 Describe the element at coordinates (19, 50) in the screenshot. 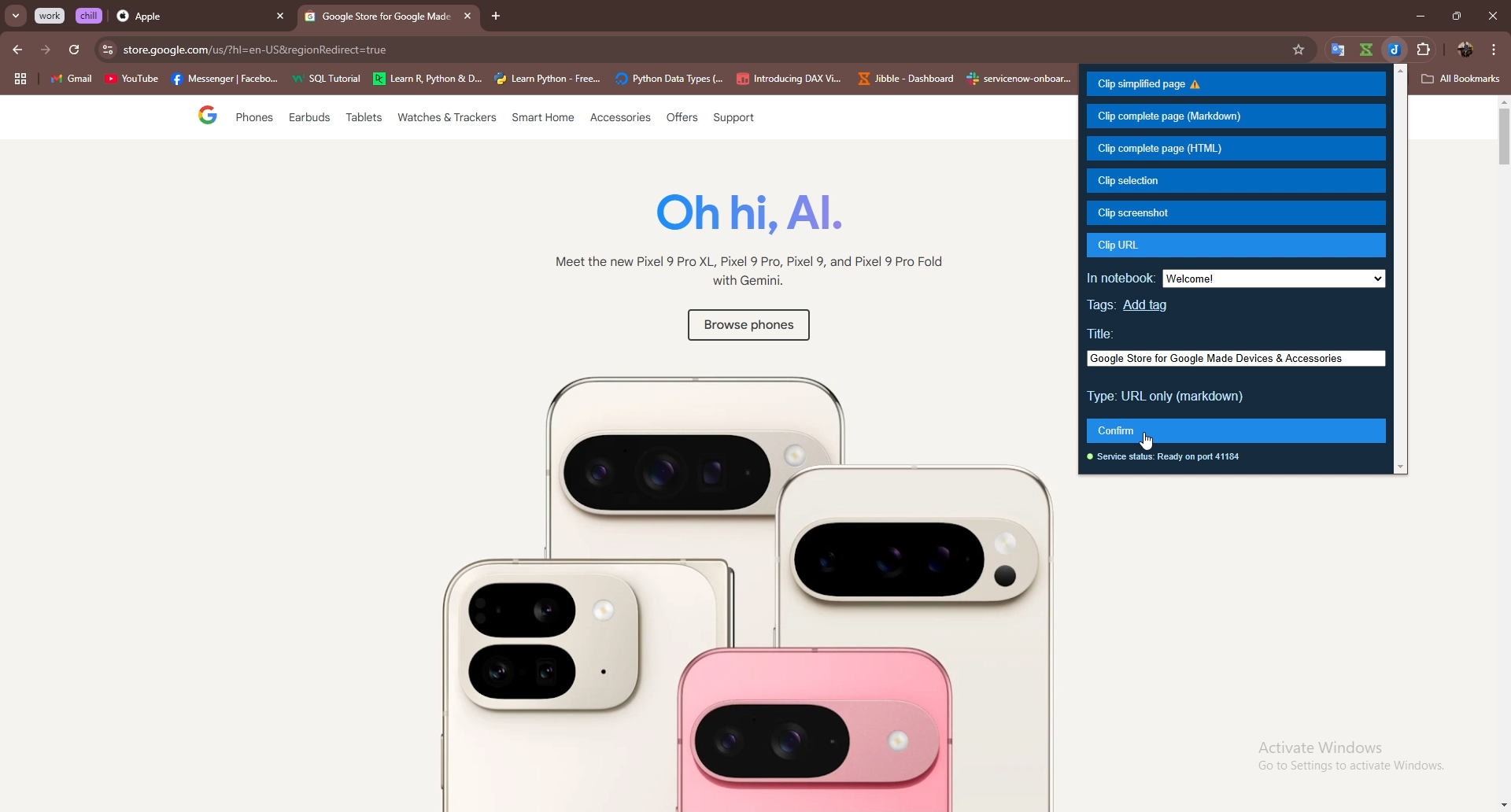

I see `back` at that location.